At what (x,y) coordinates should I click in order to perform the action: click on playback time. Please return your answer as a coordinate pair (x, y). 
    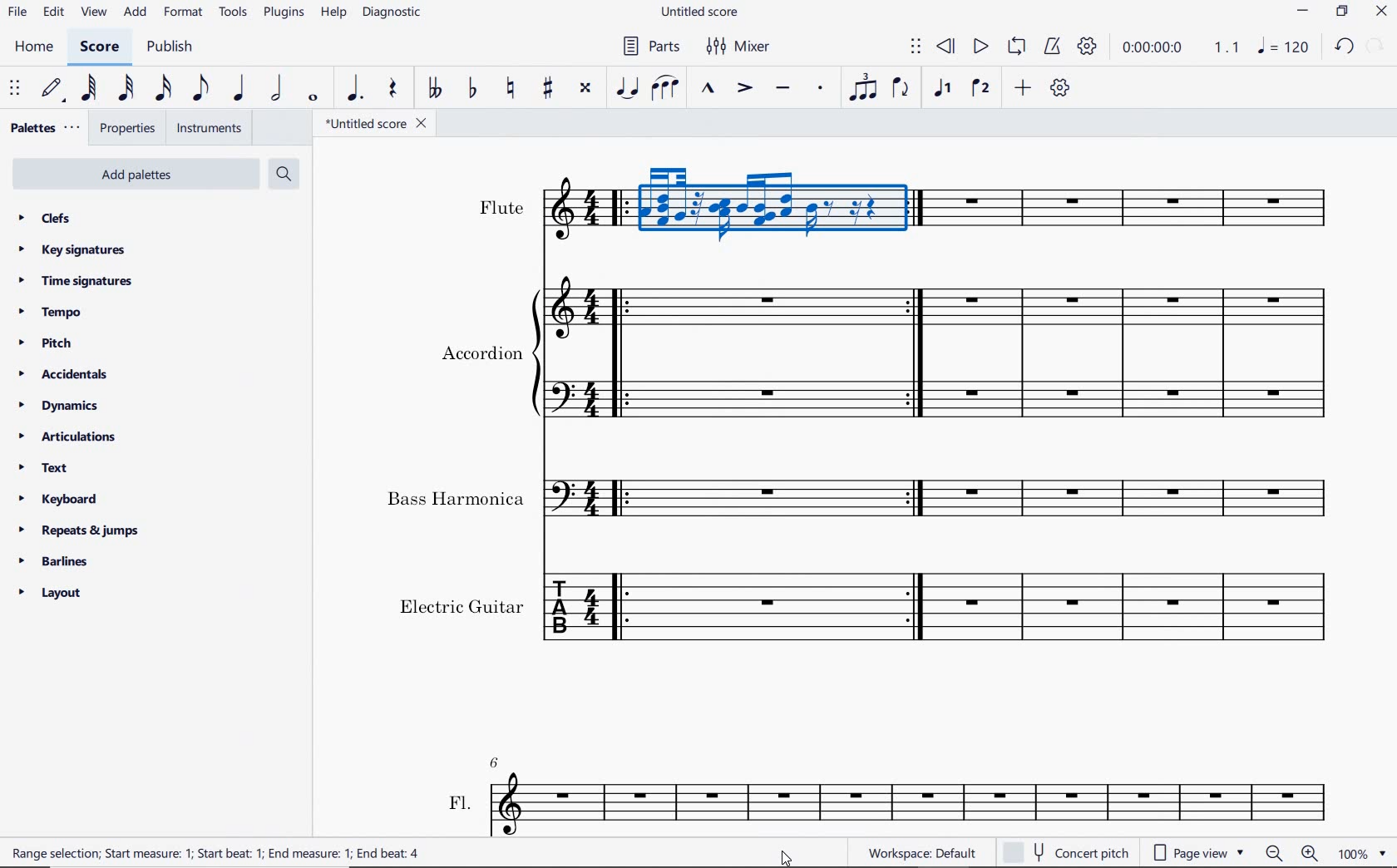
    Looking at the image, I should click on (1152, 48).